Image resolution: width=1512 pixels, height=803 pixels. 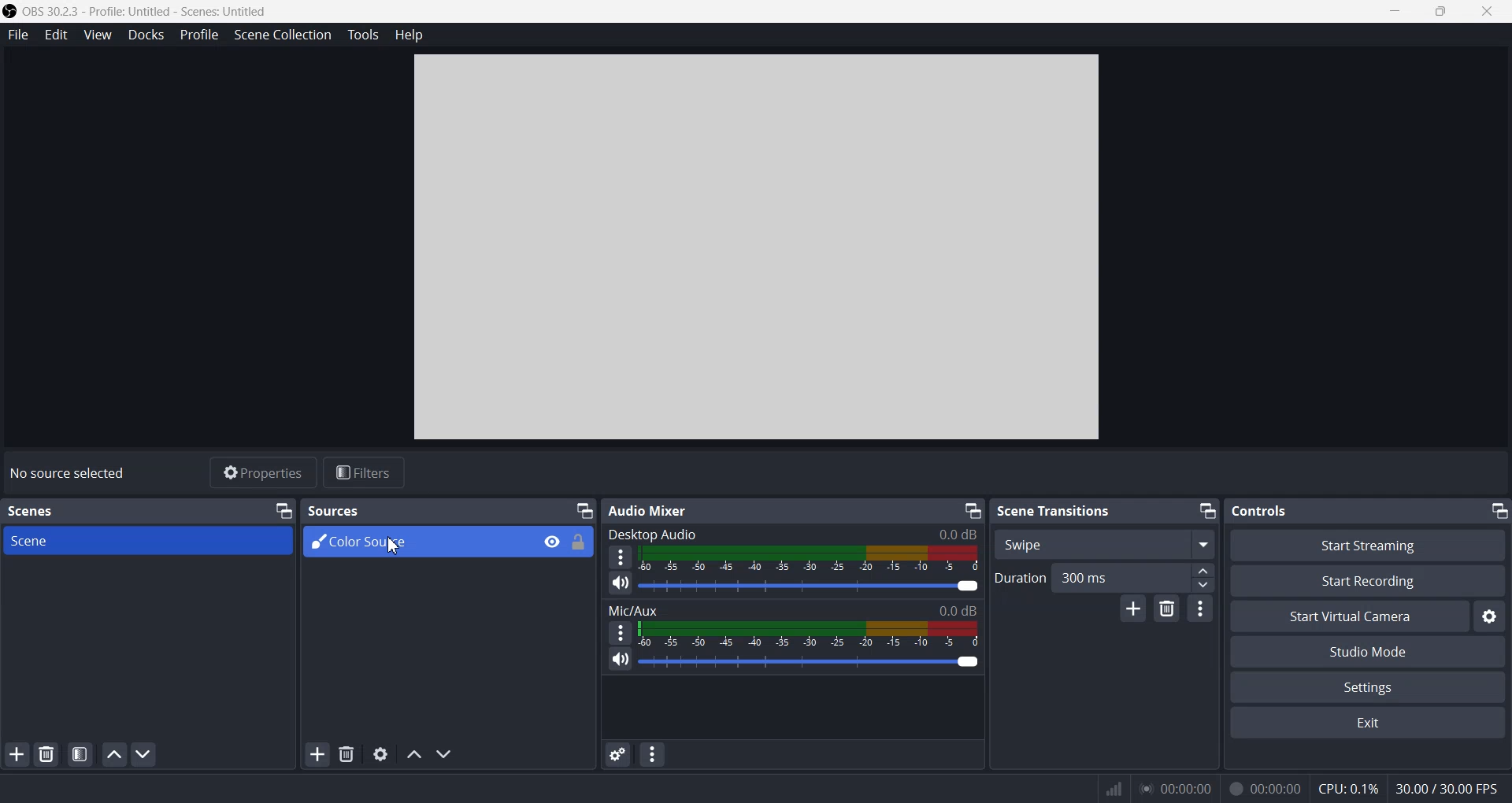 What do you see at coordinates (365, 473) in the screenshot?
I see `Filters` at bounding box center [365, 473].